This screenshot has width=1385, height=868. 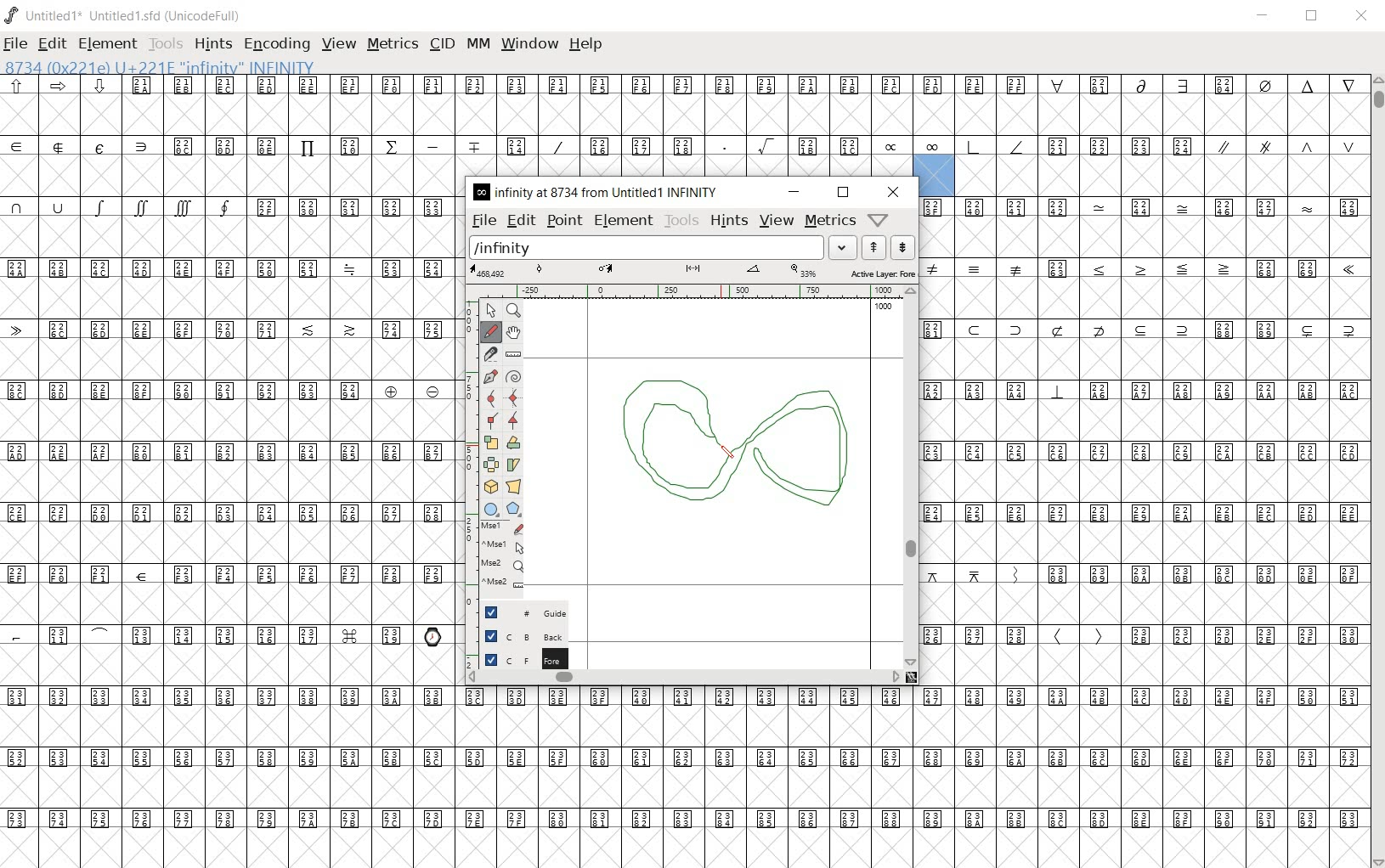 I want to click on Unicode code points, so click(x=231, y=452).